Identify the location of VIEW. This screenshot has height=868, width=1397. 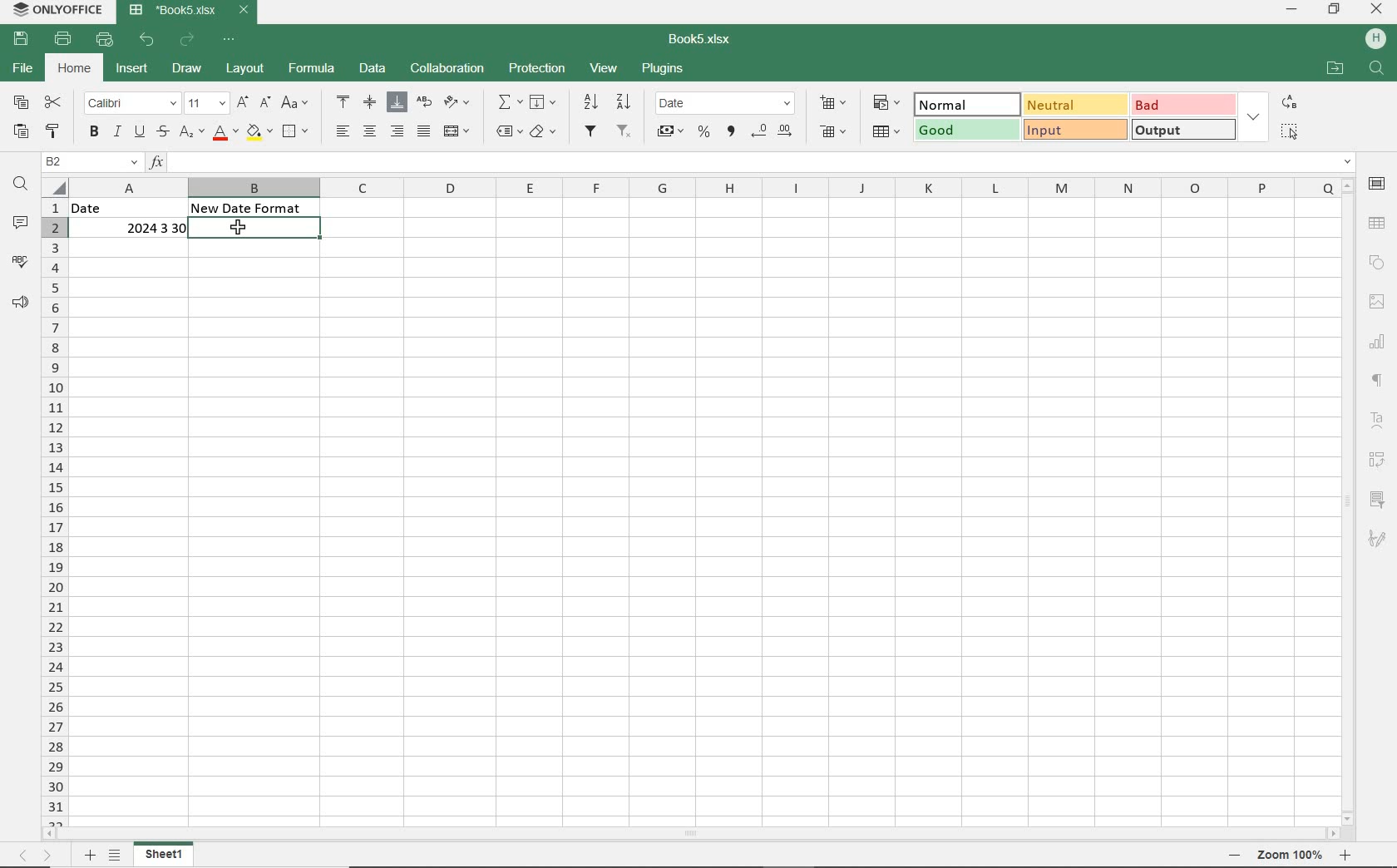
(604, 68).